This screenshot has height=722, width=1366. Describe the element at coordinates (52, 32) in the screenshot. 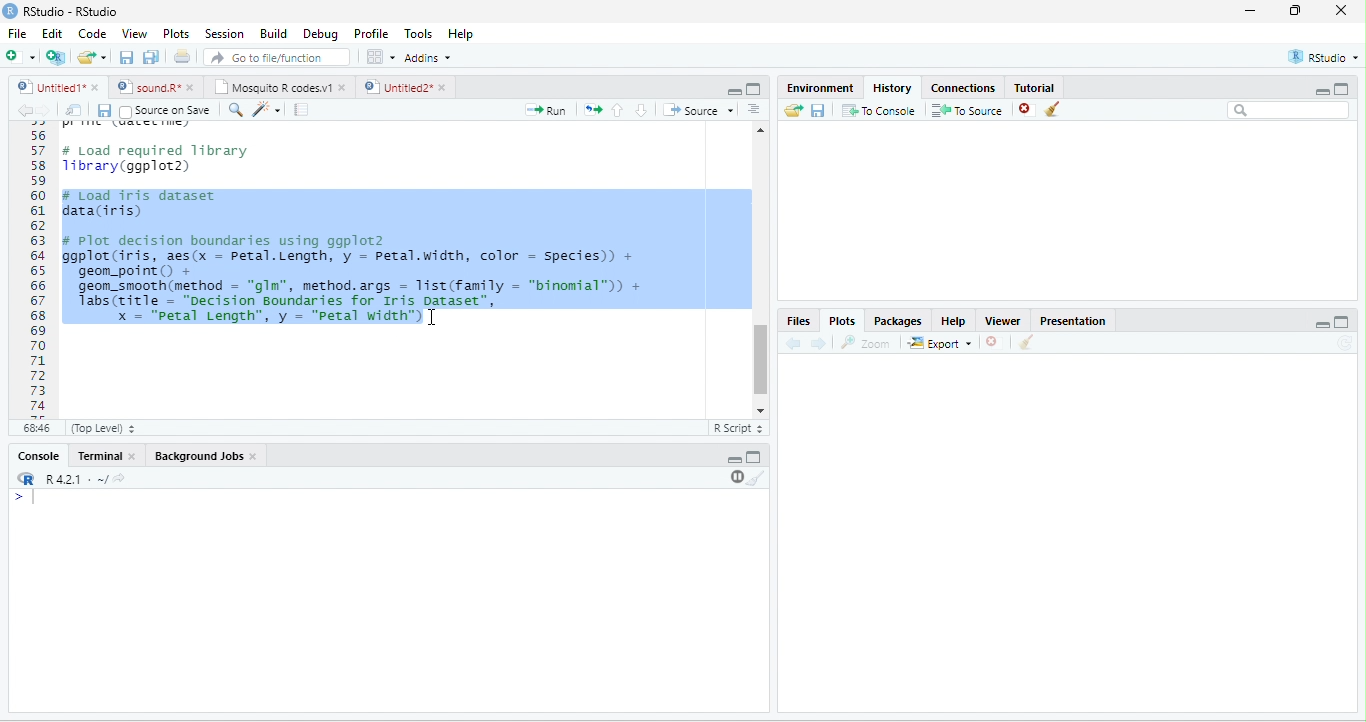

I see `Edit` at that location.